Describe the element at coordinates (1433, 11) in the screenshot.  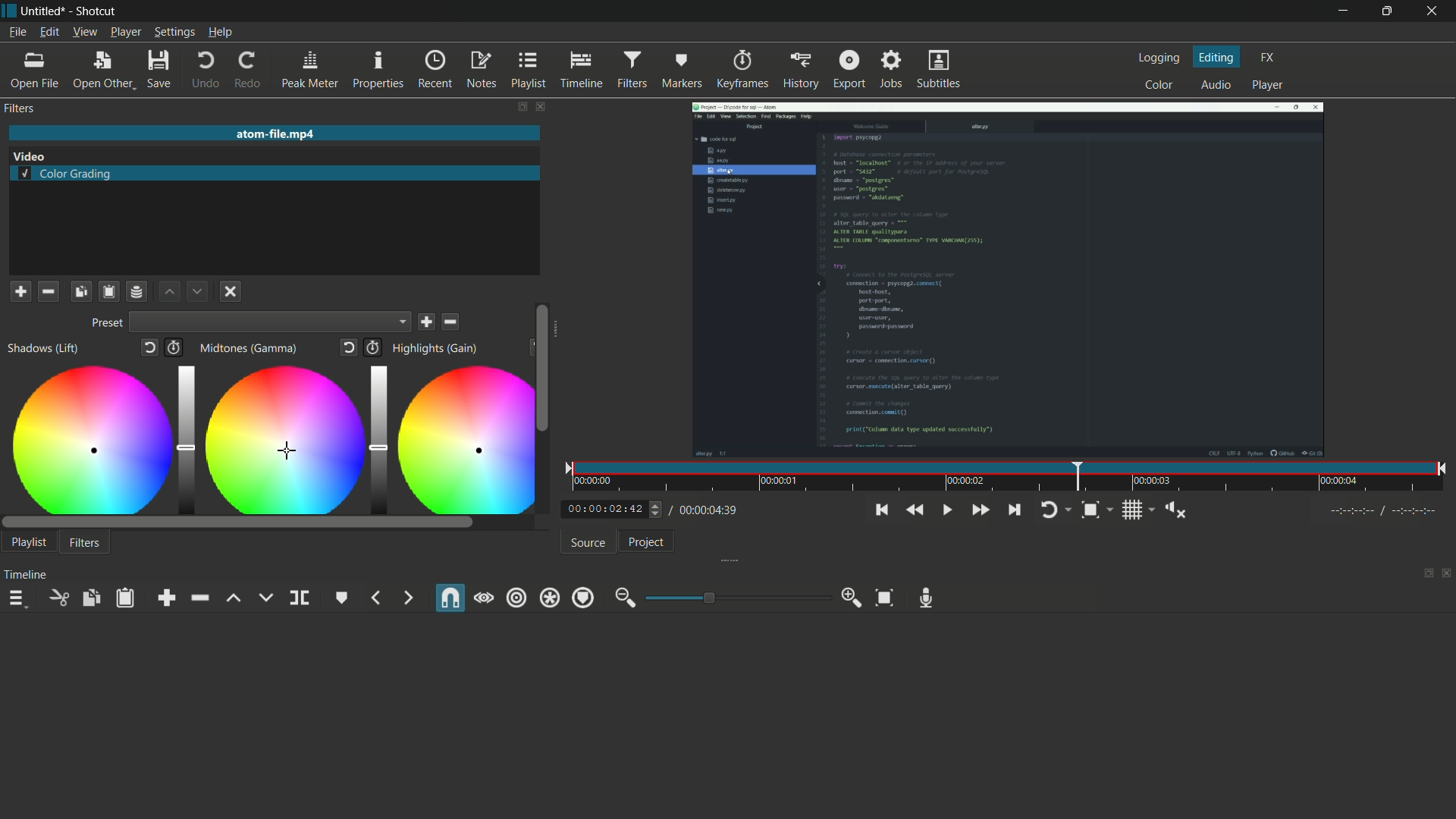
I see `close app` at that location.